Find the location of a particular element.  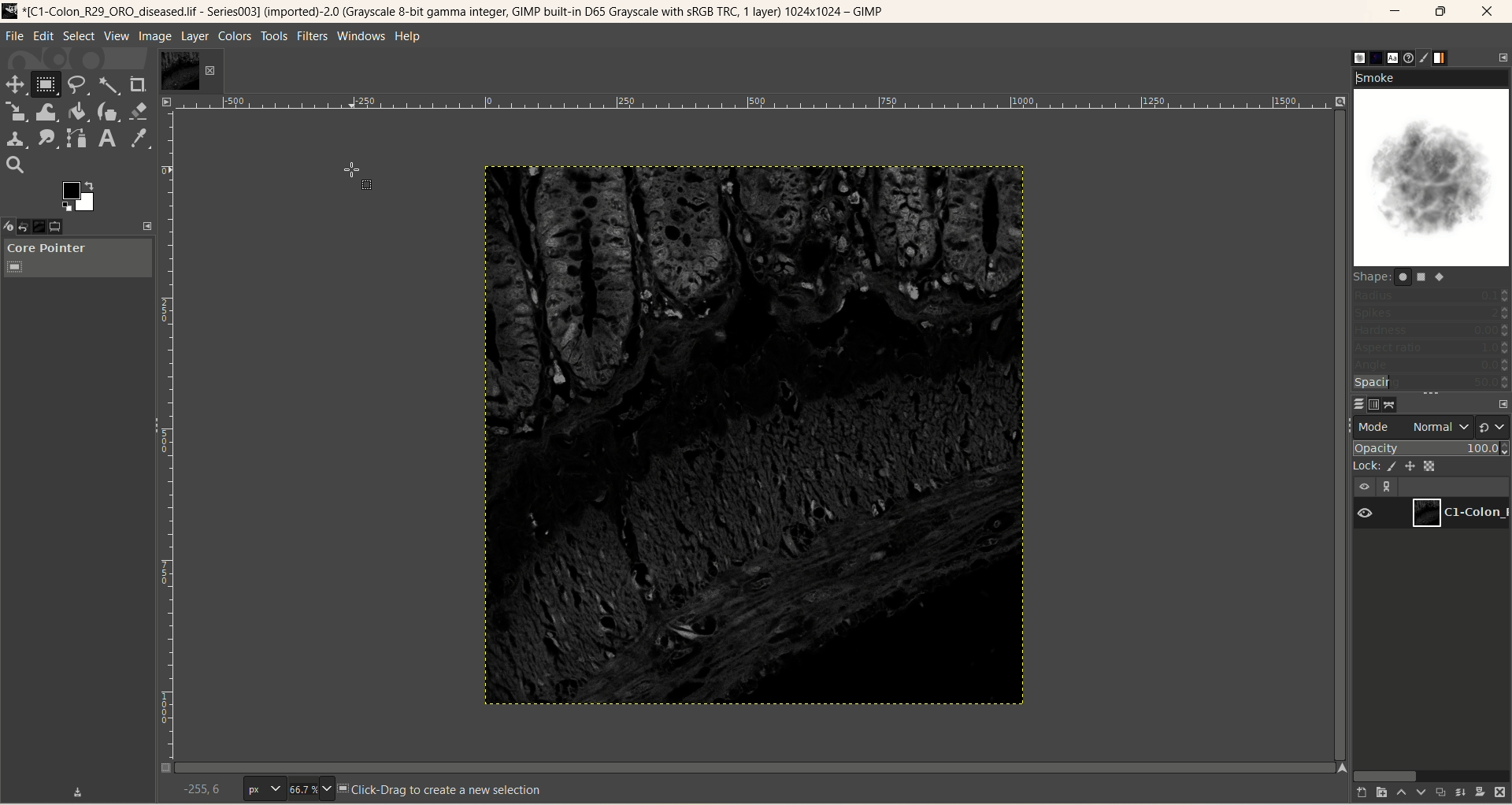

add mask is located at coordinates (1480, 794).